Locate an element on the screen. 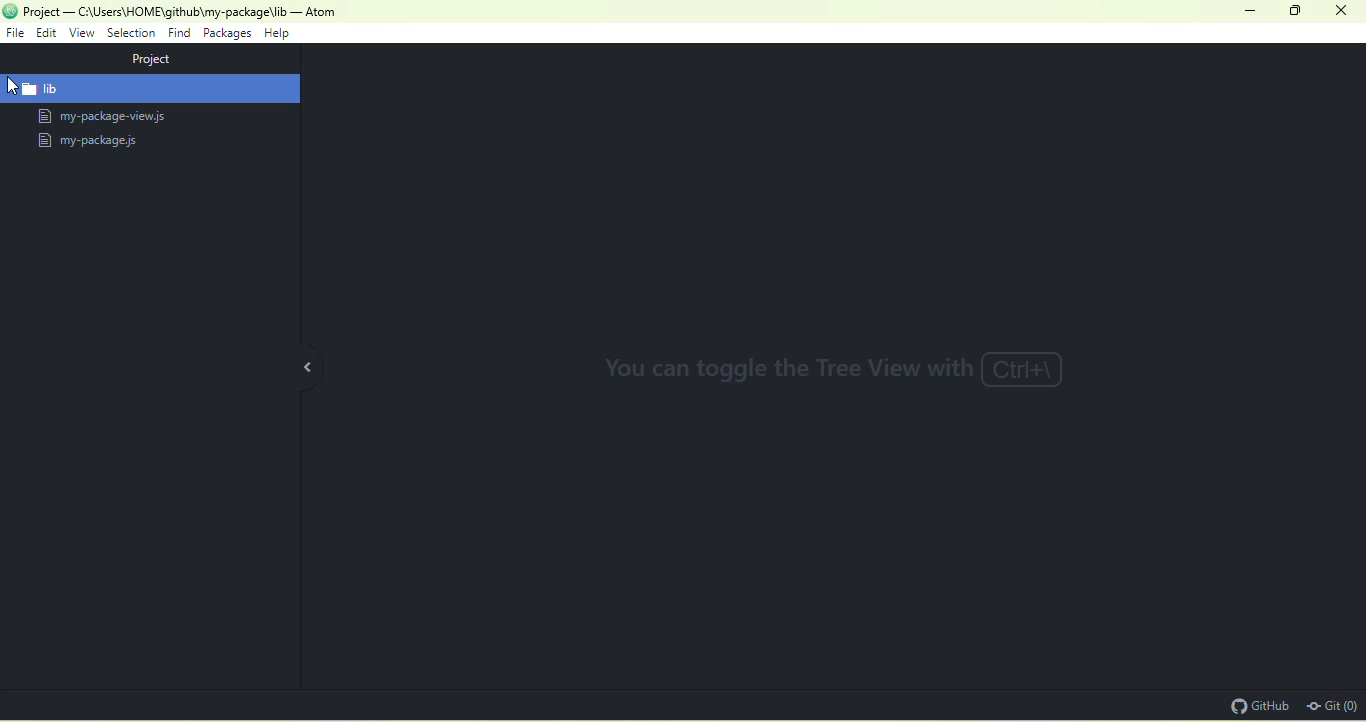 The image size is (1366, 722). maximize is located at coordinates (1297, 11).